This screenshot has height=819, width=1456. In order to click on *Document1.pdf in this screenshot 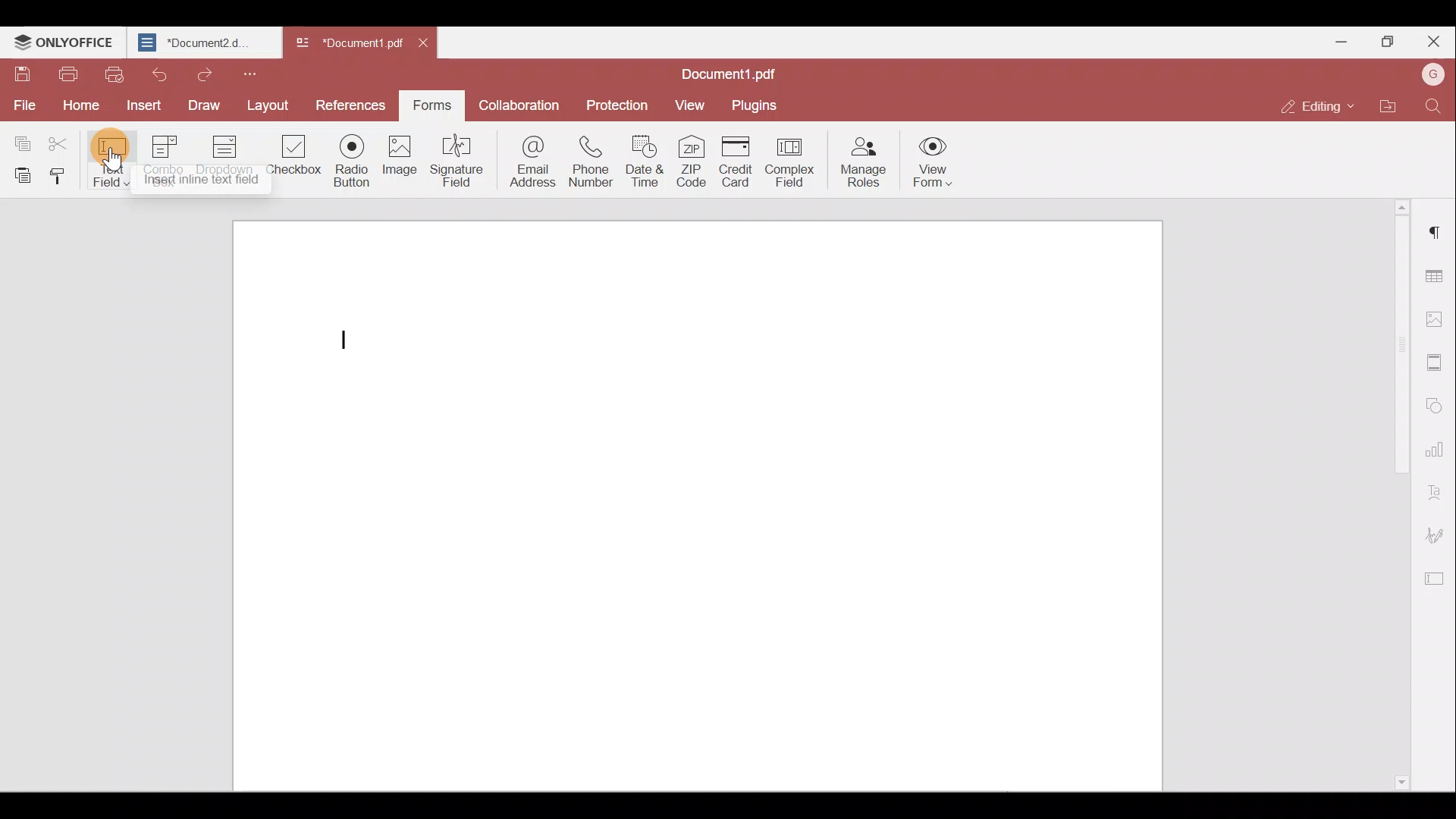, I will do `click(351, 45)`.